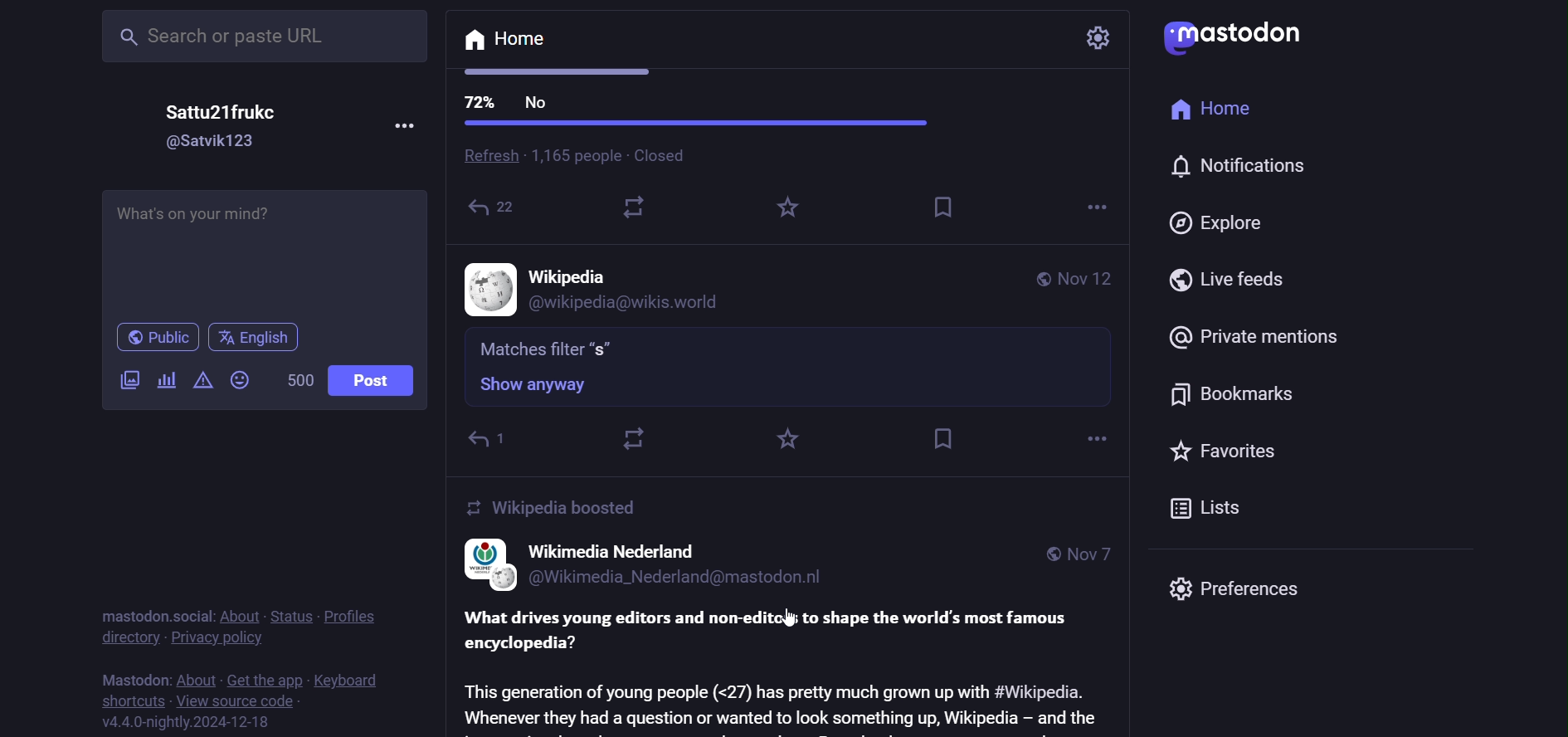  What do you see at coordinates (242, 700) in the screenshot?
I see `source code` at bounding box center [242, 700].